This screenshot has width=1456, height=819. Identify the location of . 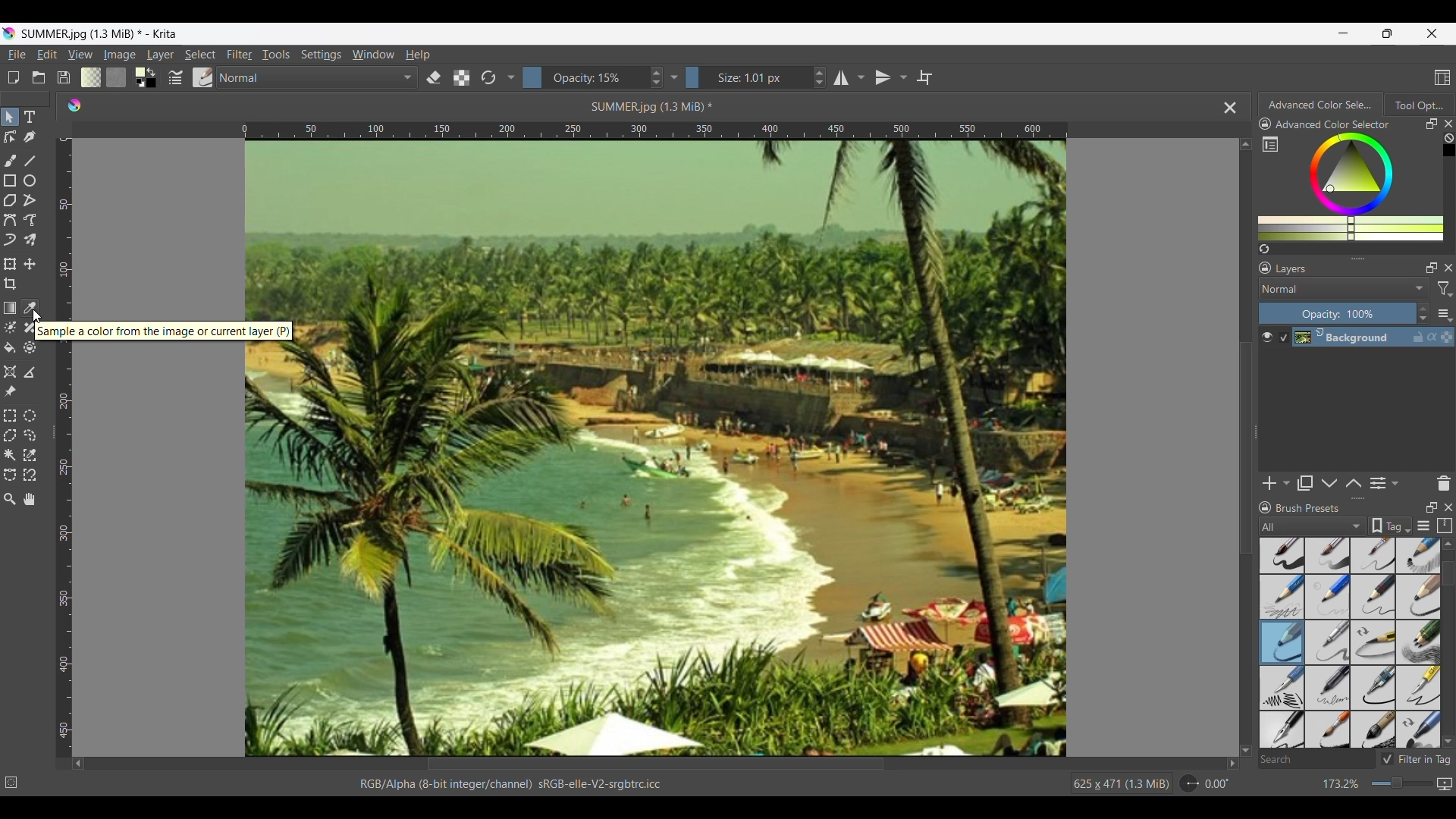
(1269, 144).